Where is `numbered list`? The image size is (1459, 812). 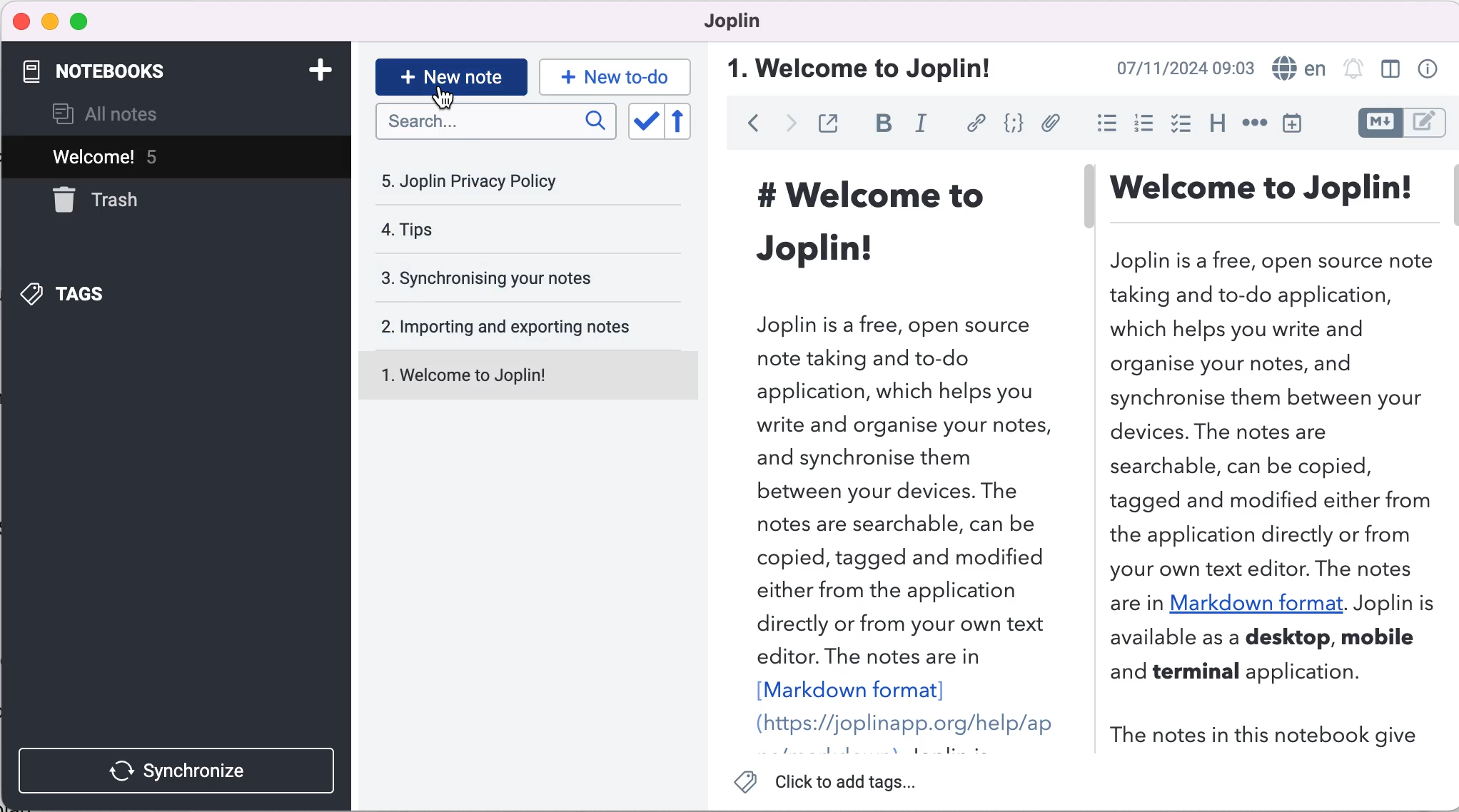
numbered list is located at coordinates (1139, 123).